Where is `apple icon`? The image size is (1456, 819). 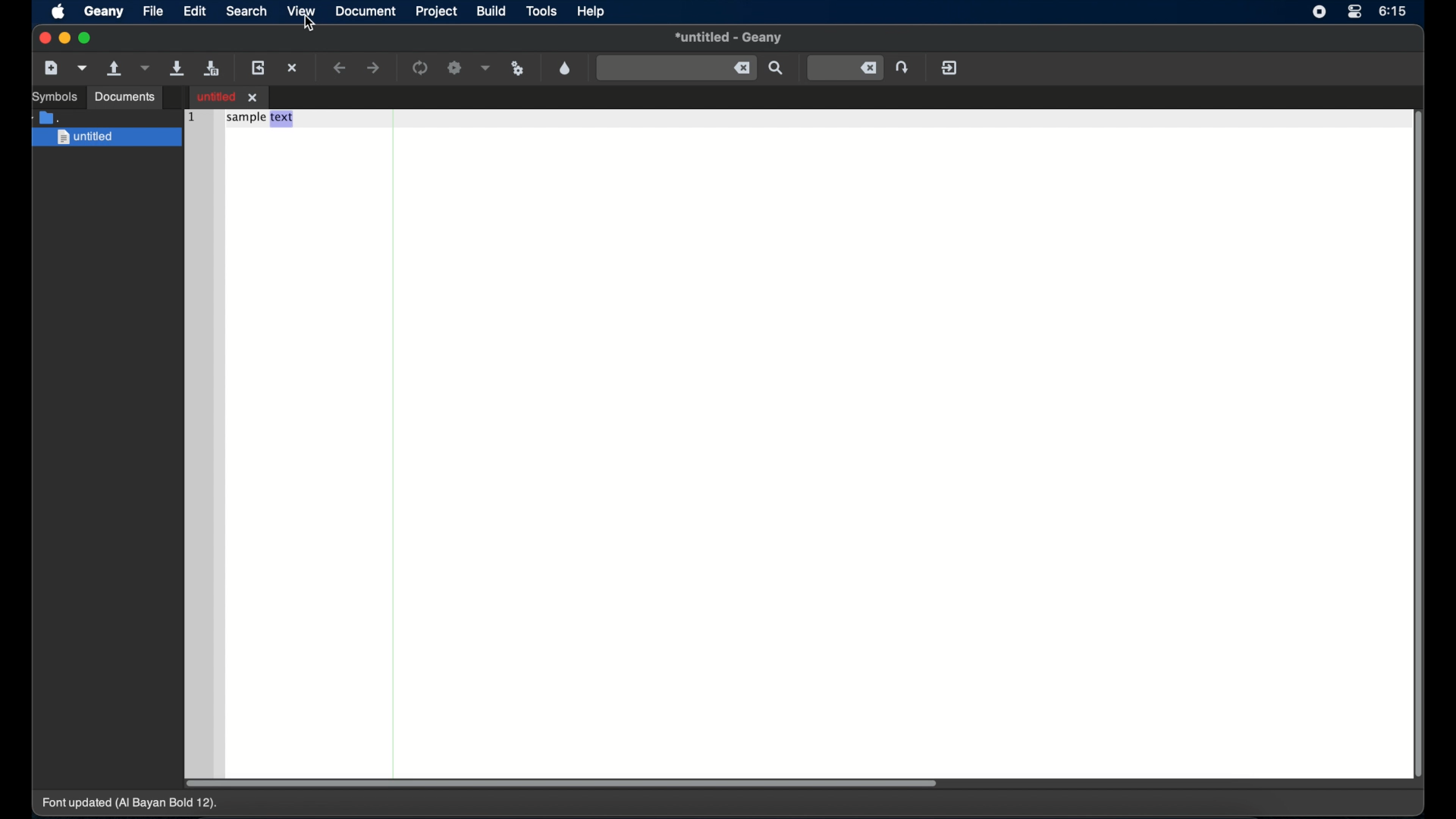 apple icon is located at coordinates (58, 13).